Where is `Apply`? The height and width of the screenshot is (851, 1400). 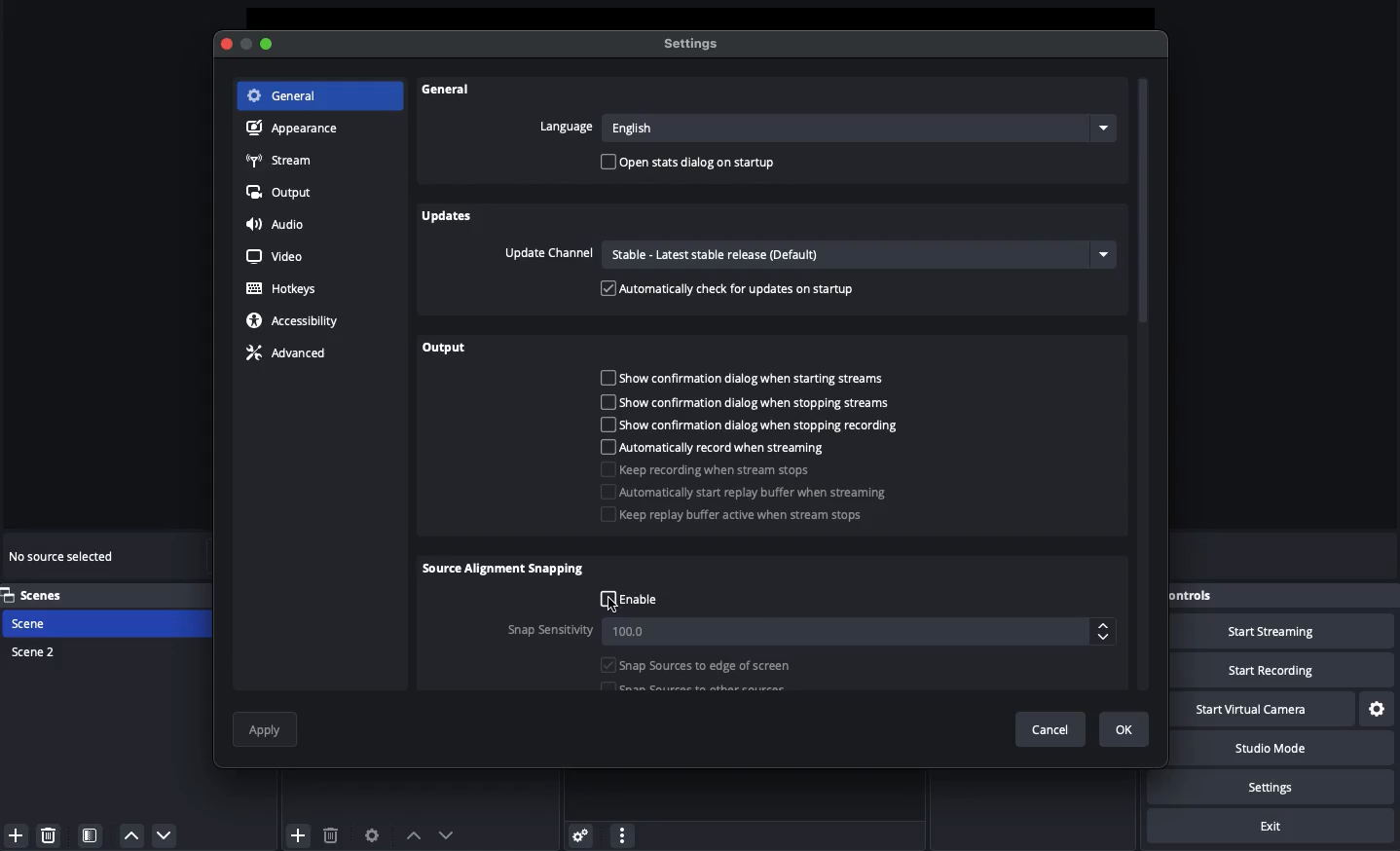
Apply is located at coordinates (266, 731).